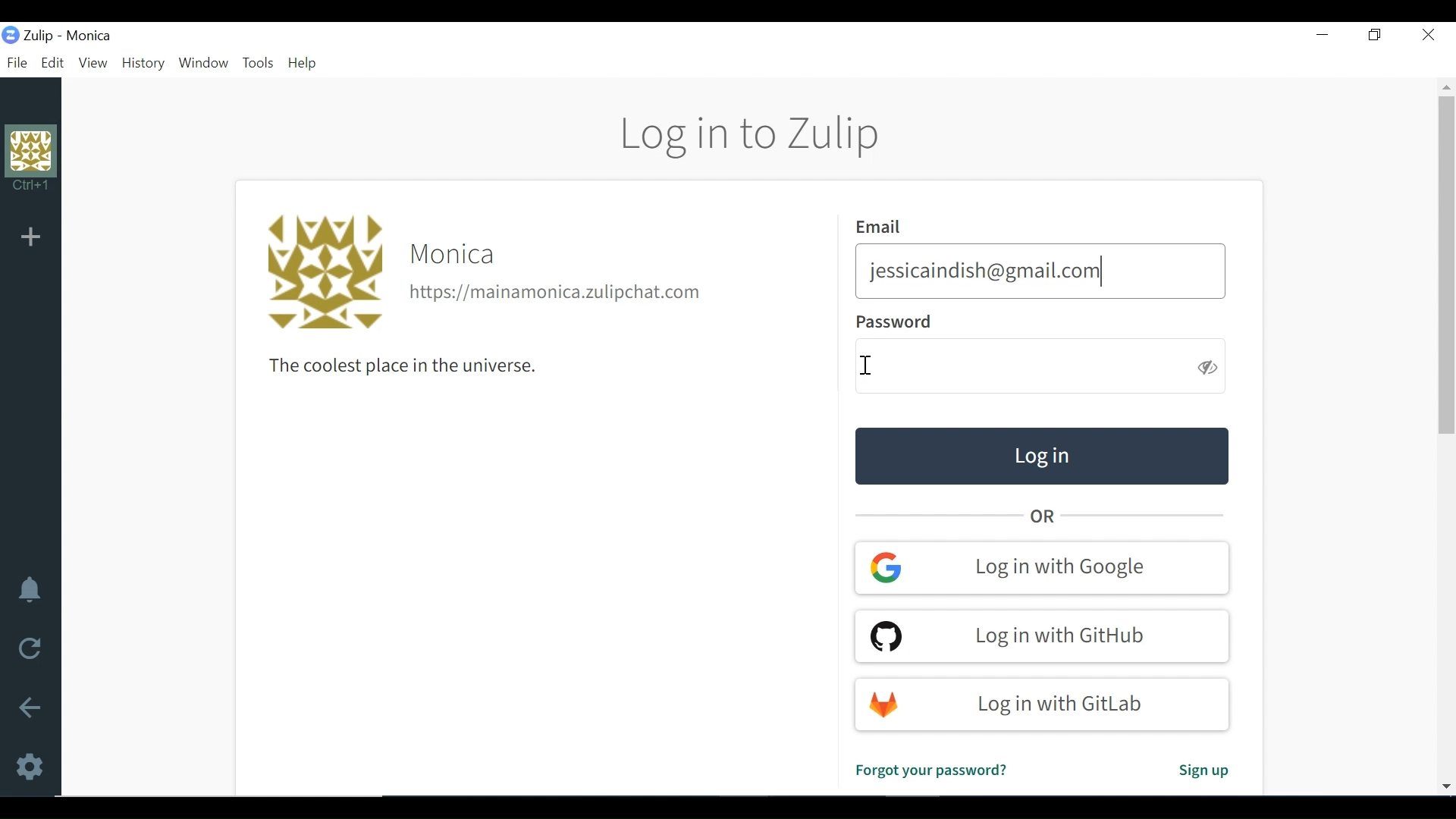 This screenshot has height=819, width=1456. I want to click on Zulip Desktop Icon, so click(31, 35).